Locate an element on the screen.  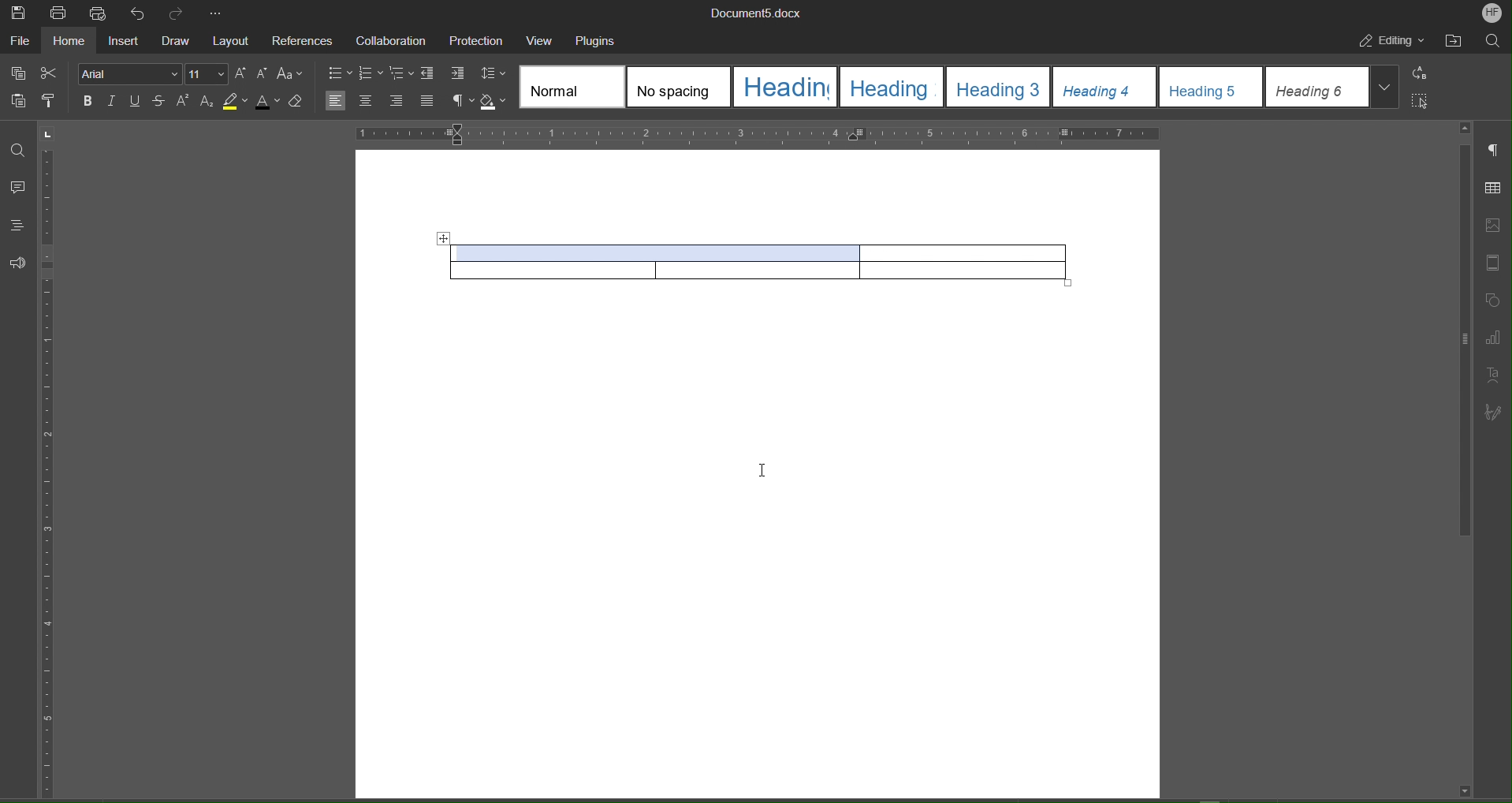
Protection is located at coordinates (477, 41).